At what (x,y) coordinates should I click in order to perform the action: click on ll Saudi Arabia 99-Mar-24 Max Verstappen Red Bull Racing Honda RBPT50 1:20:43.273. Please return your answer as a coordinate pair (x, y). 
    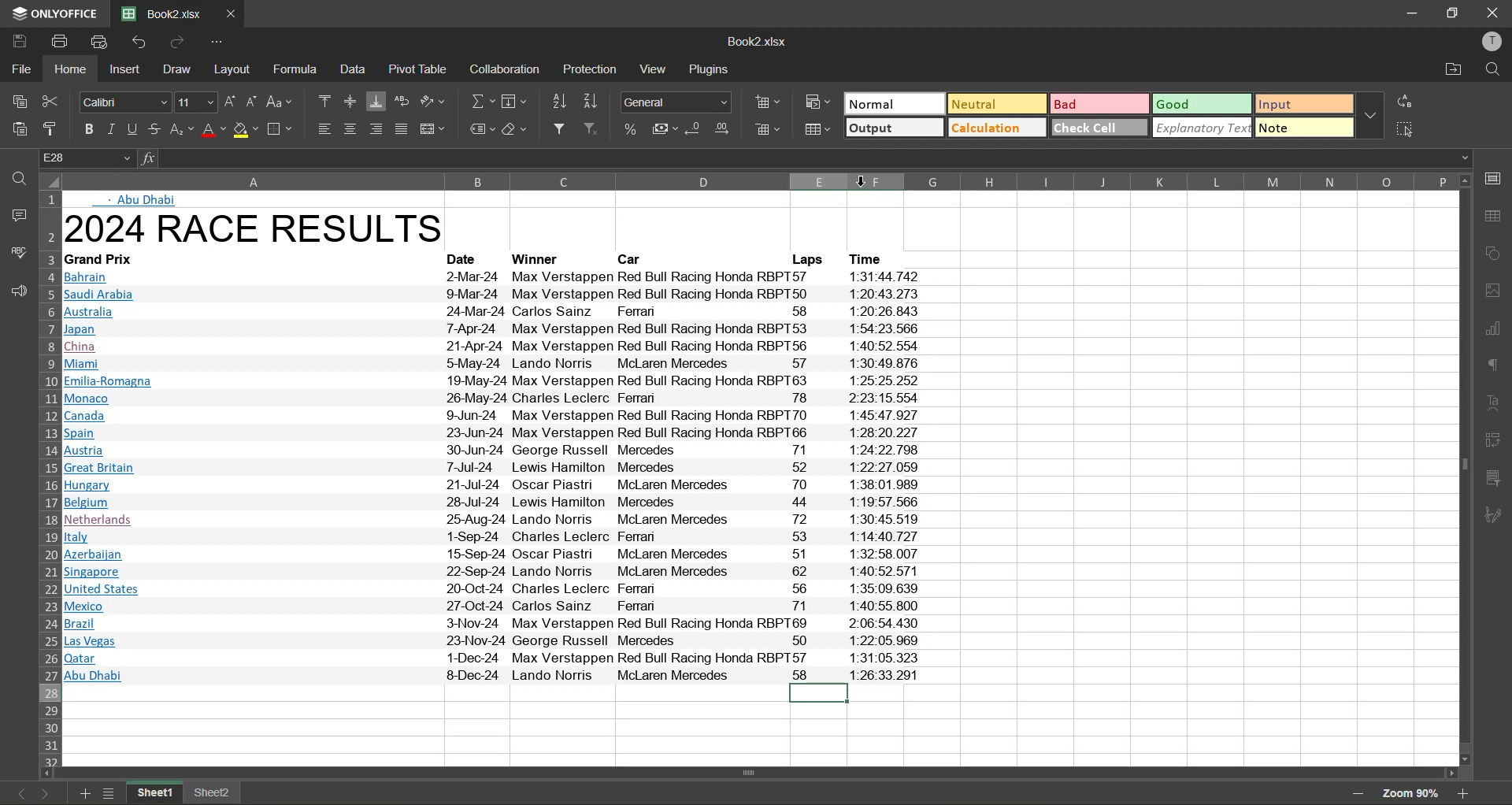
    Looking at the image, I should click on (495, 294).